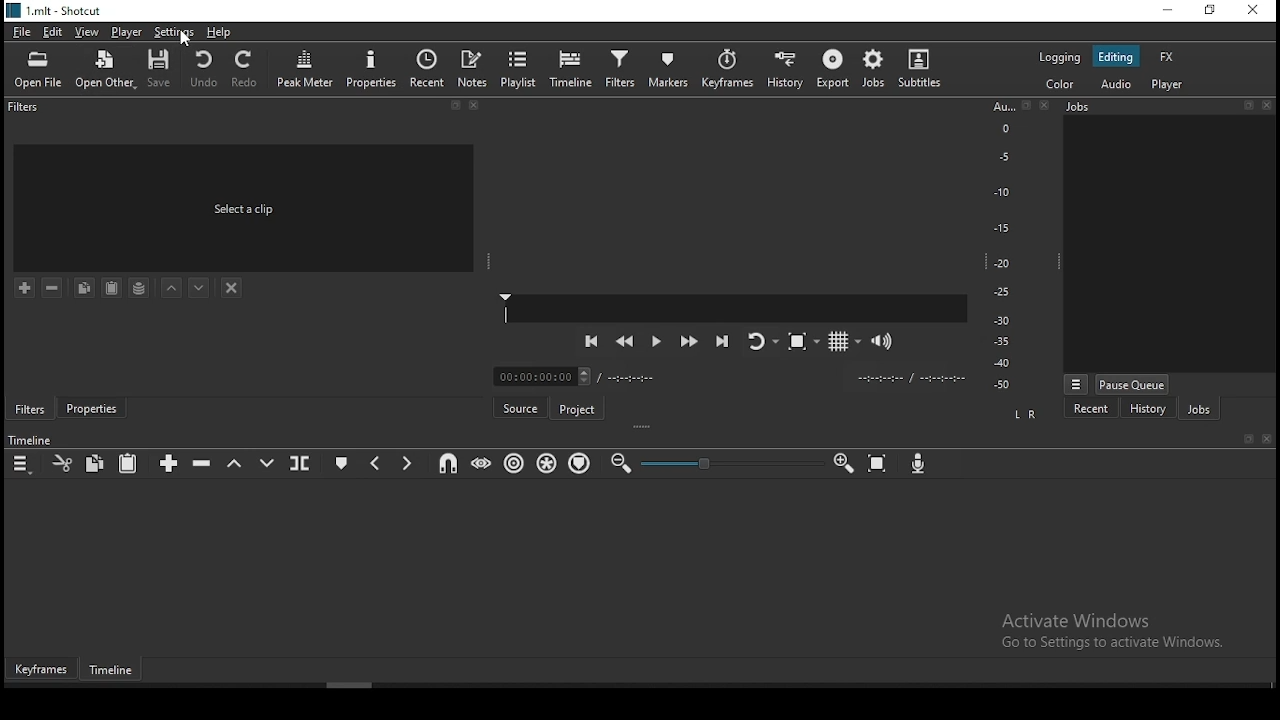 The height and width of the screenshot is (720, 1280). What do you see at coordinates (42, 68) in the screenshot?
I see `open file` at bounding box center [42, 68].